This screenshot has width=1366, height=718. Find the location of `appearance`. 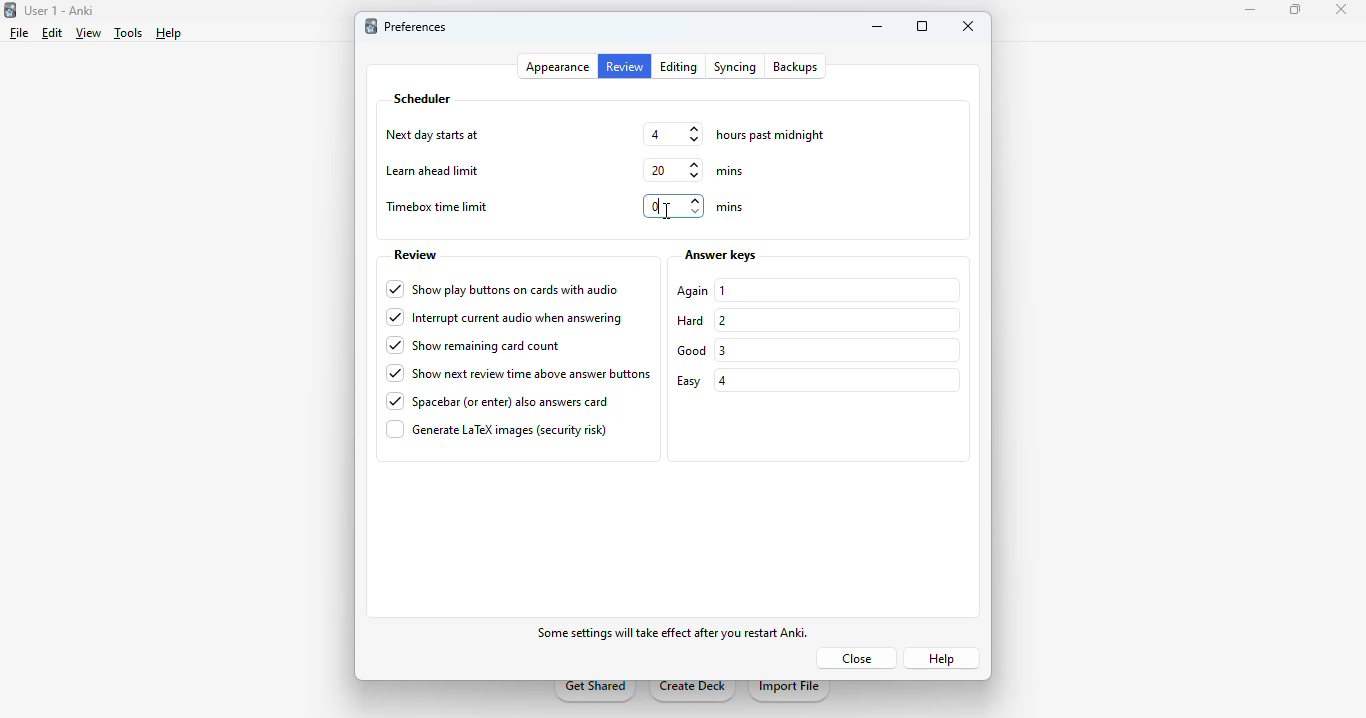

appearance is located at coordinates (560, 67).